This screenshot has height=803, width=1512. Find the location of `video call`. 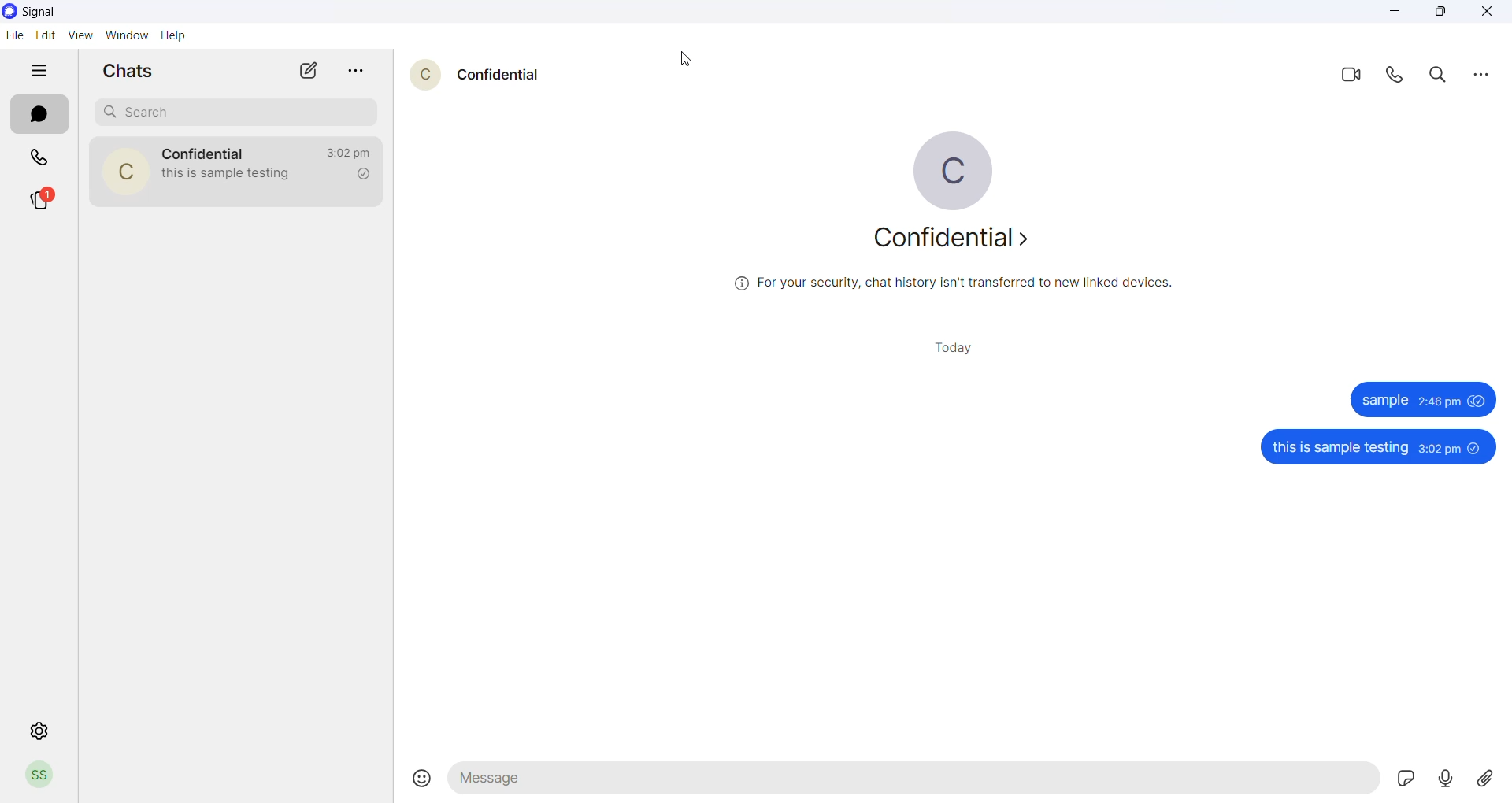

video call is located at coordinates (1348, 78).